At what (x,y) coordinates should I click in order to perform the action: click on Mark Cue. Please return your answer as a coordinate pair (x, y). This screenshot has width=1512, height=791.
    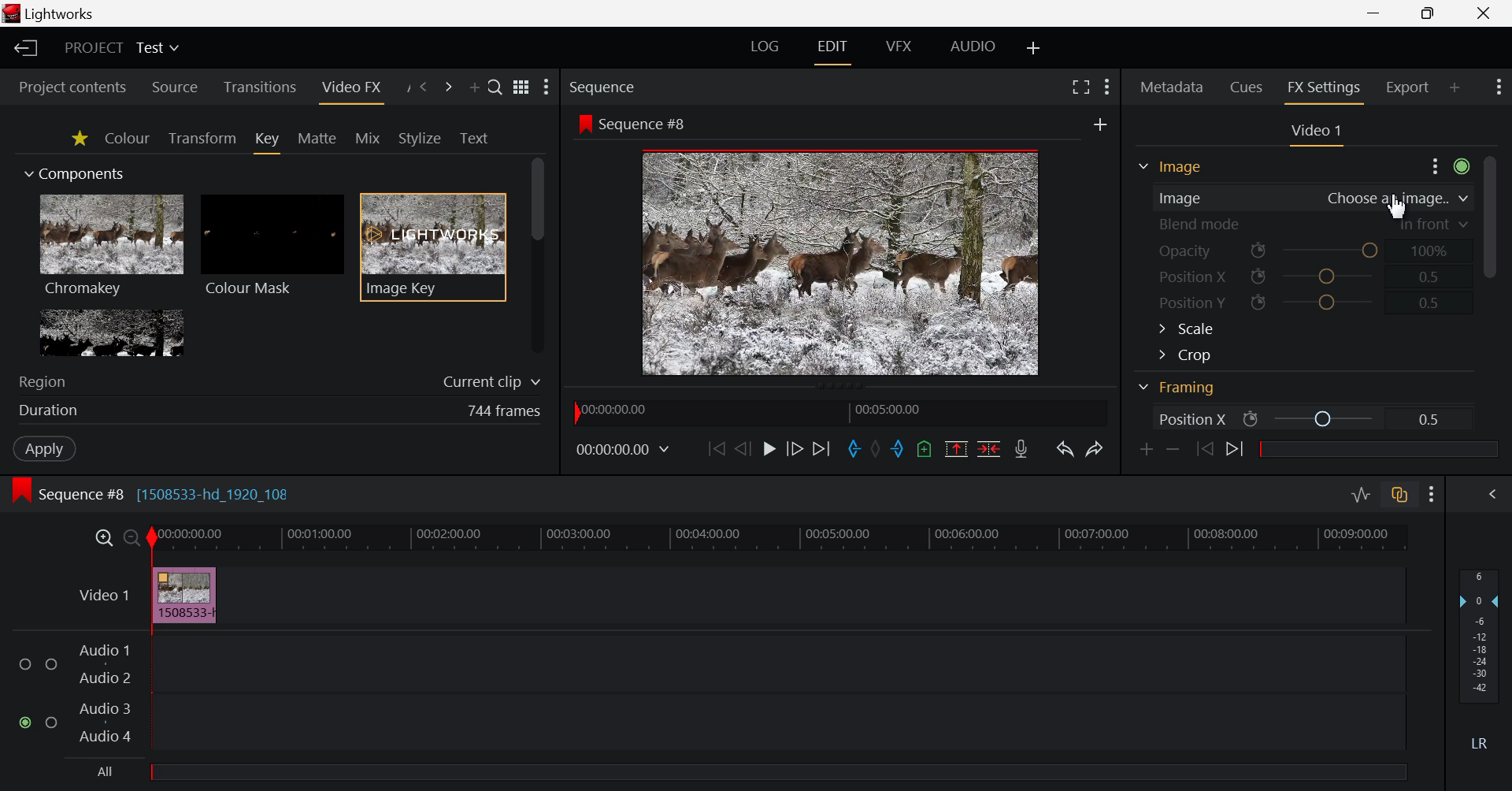
    Looking at the image, I should click on (925, 449).